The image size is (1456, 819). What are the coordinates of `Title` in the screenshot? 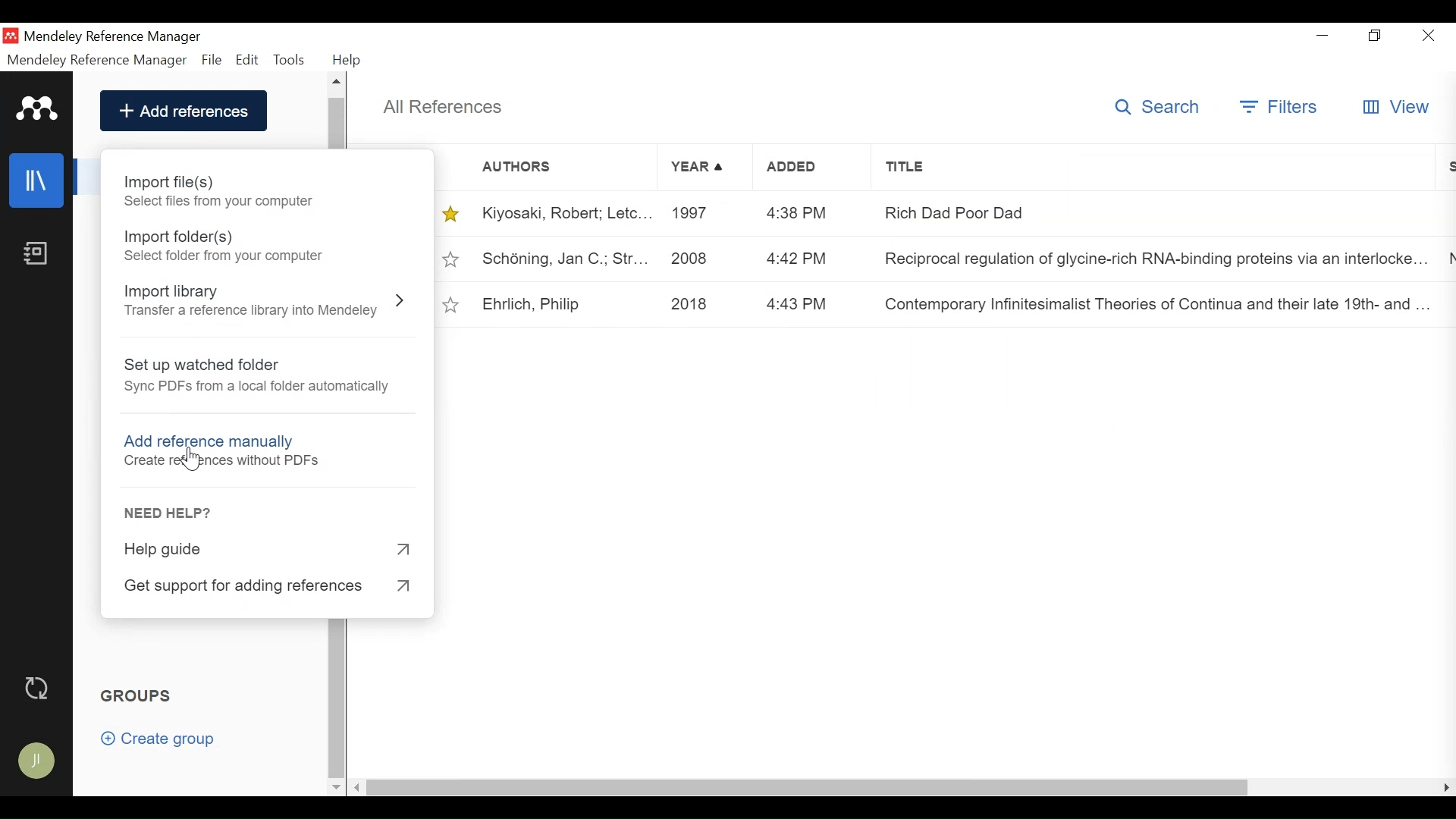 It's located at (1149, 171).